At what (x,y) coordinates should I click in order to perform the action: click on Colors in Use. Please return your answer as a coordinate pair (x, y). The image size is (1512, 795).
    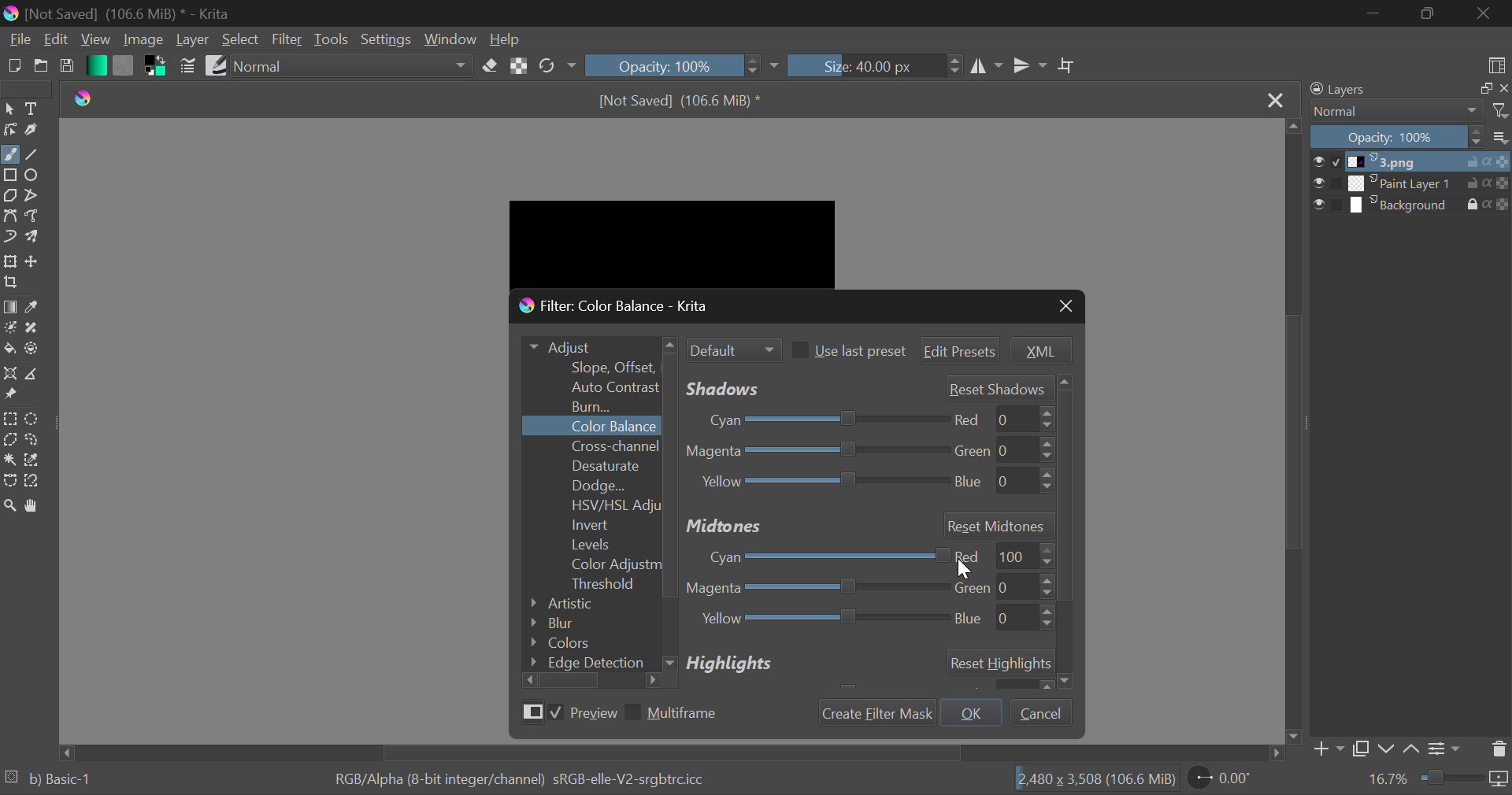
    Looking at the image, I should click on (156, 65).